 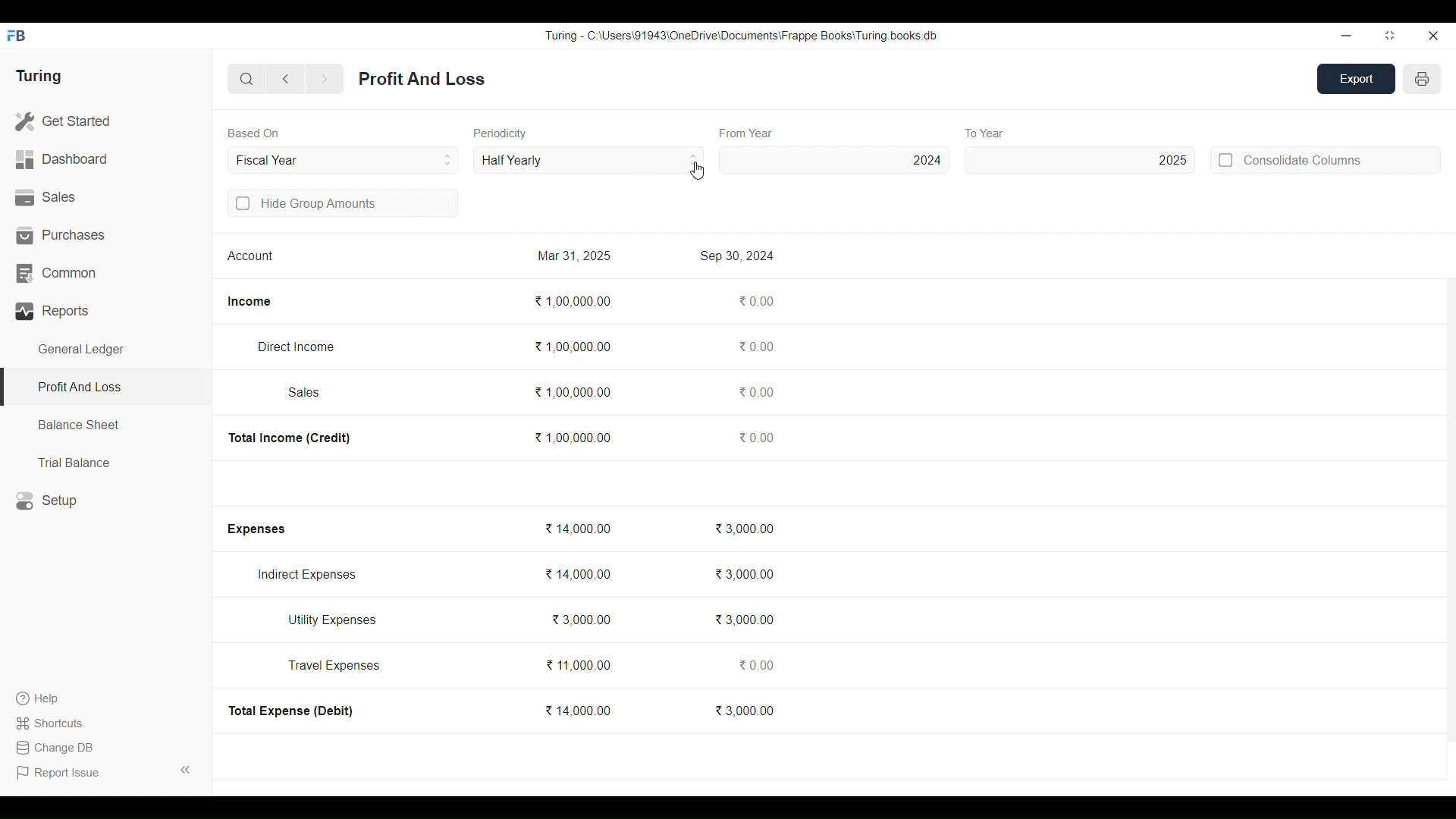 What do you see at coordinates (61, 773) in the screenshot?
I see `Report Issue` at bounding box center [61, 773].